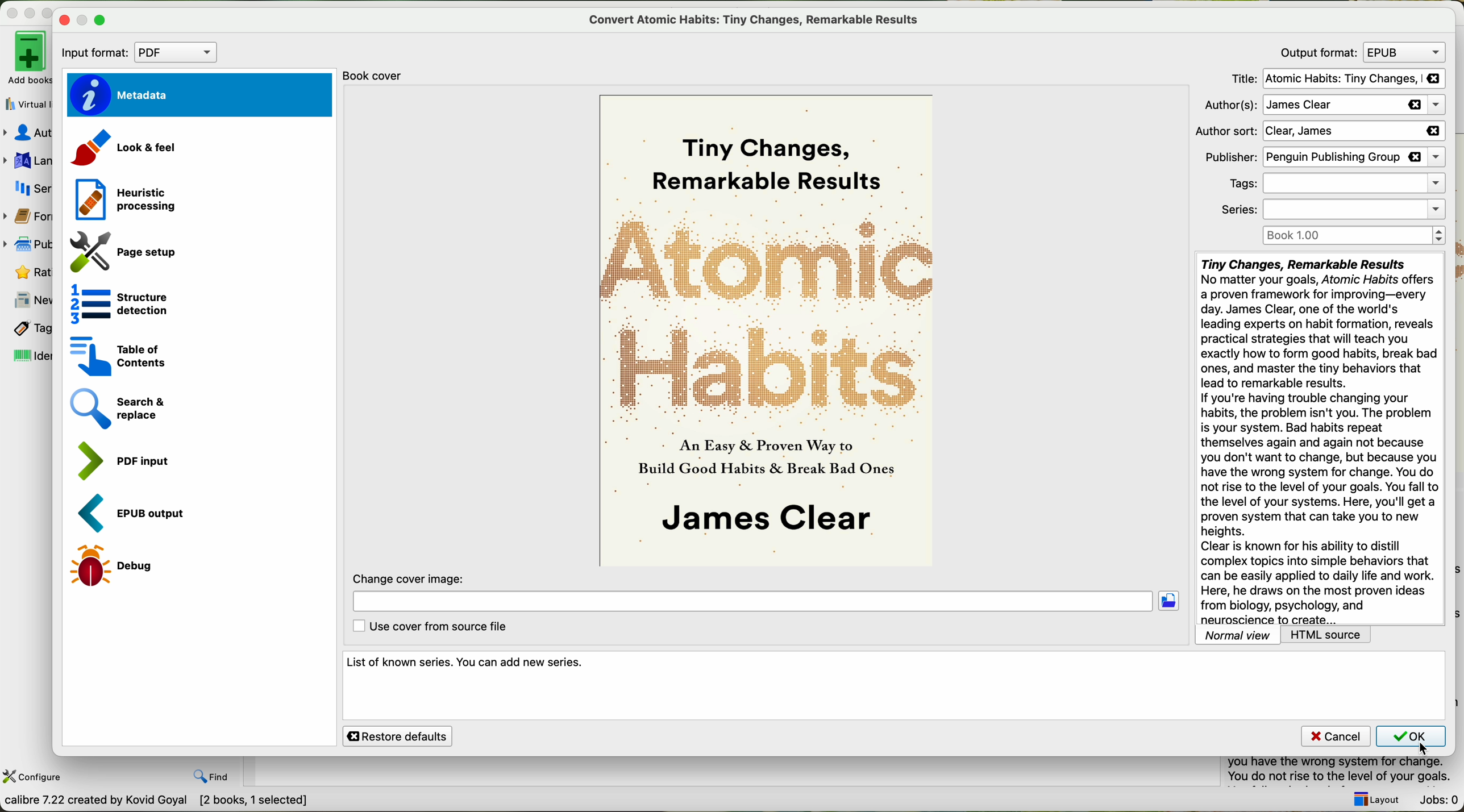 This screenshot has height=812, width=1464. Describe the element at coordinates (1336, 79) in the screenshot. I see `title` at that location.